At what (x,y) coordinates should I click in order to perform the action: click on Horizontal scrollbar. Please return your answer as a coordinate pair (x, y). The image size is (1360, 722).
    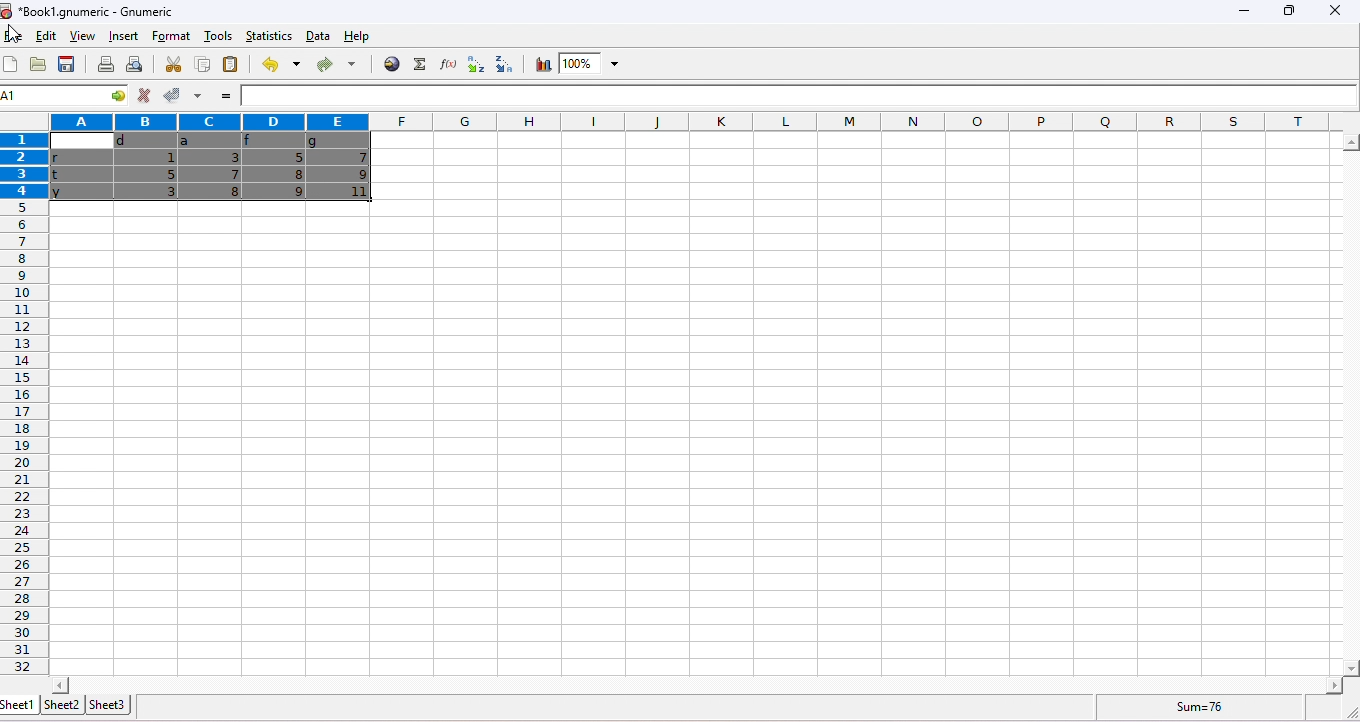
    Looking at the image, I should click on (697, 684).